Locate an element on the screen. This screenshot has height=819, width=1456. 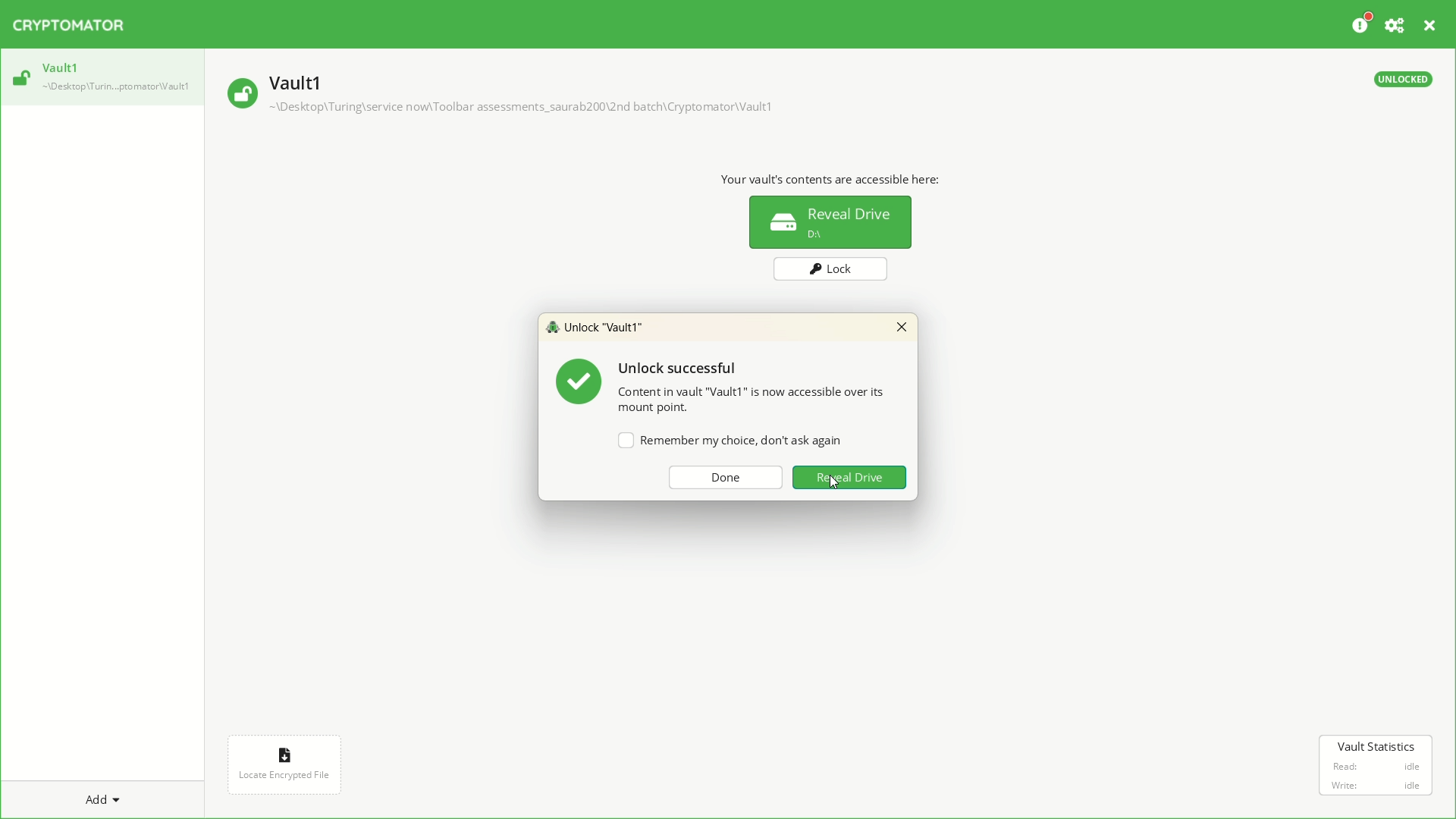
vault1 is located at coordinates (60, 67).